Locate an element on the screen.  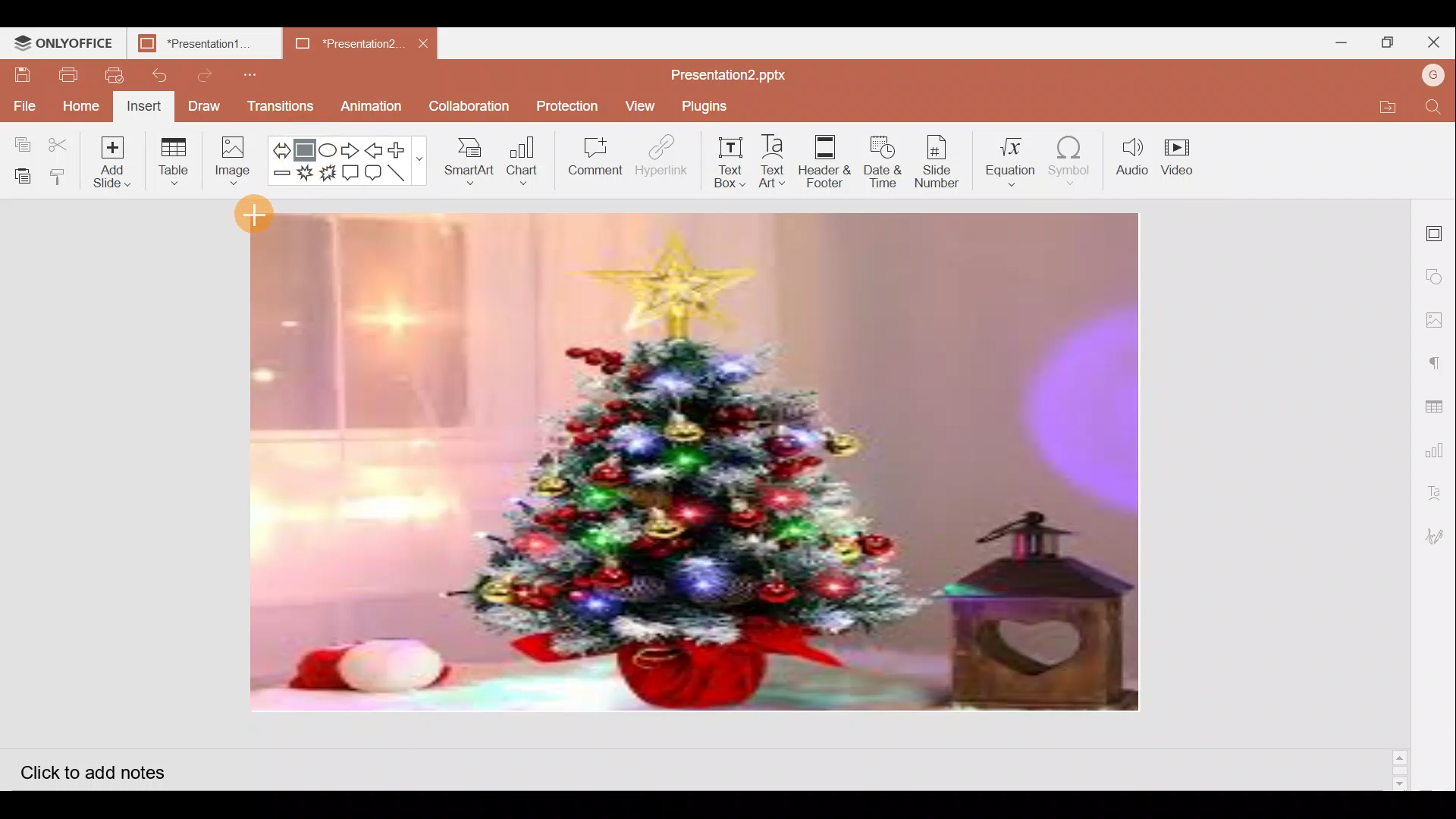
Chart is located at coordinates (520, 164).